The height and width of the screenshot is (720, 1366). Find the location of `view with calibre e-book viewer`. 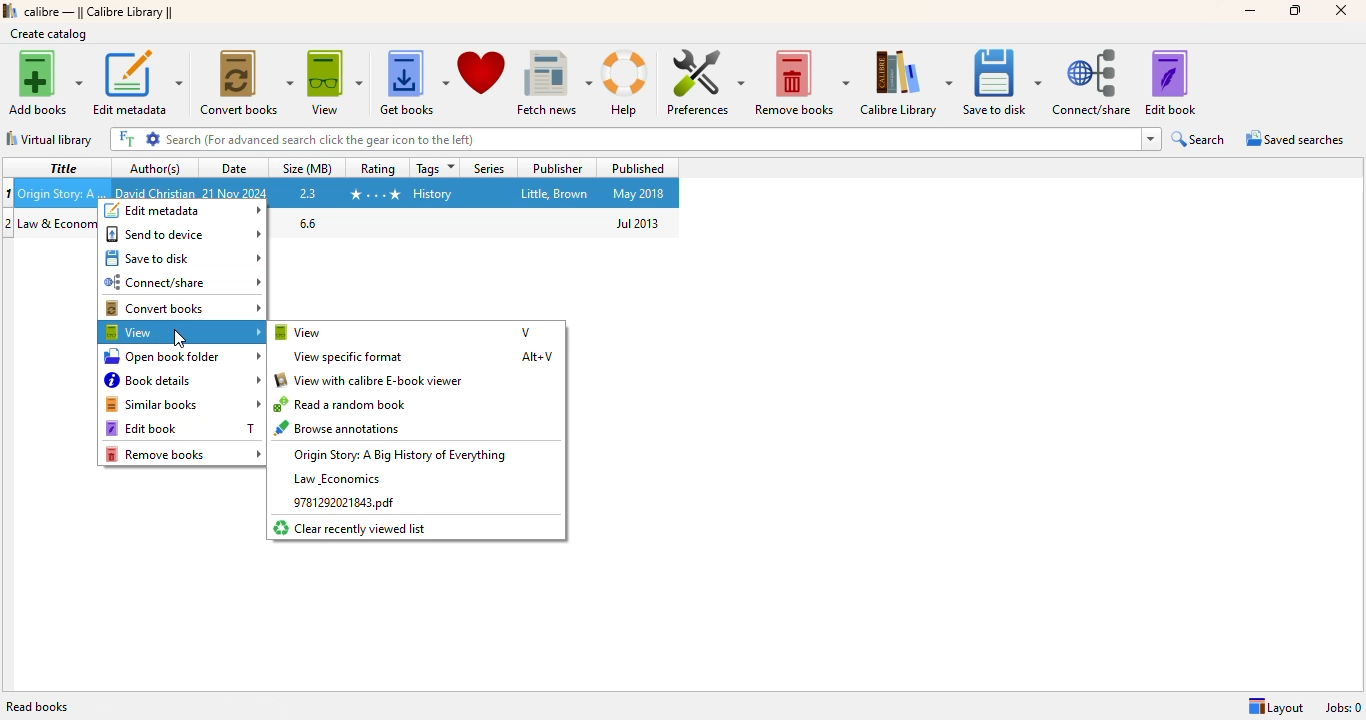

view with calibre e-book viewer is located at coordinates (370, 380).